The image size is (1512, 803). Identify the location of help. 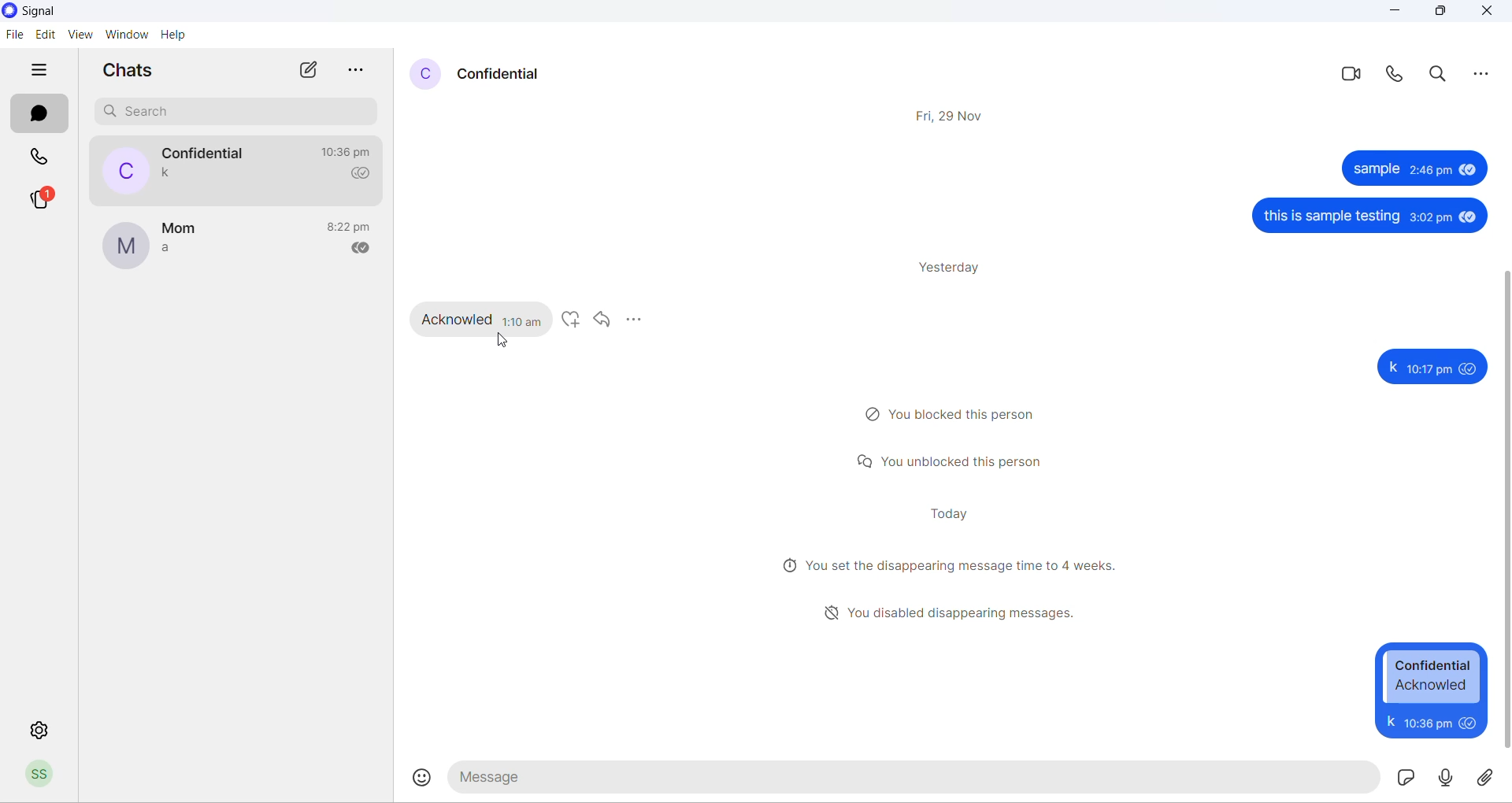
(176, 38).